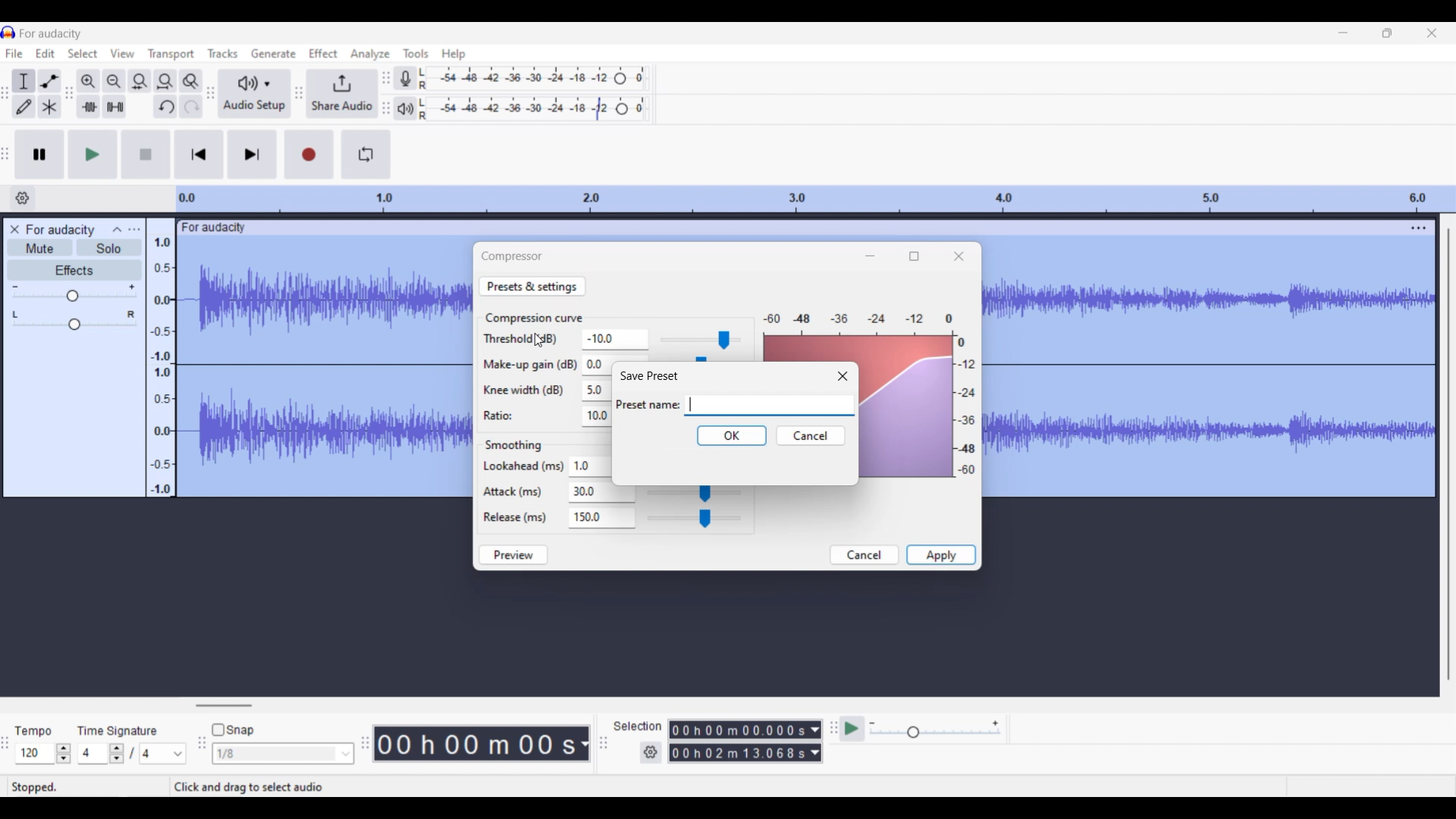  Describe the element at coordinates (475, 743) in the screenshot. I see `00 h 00 m 00 s` at that location.